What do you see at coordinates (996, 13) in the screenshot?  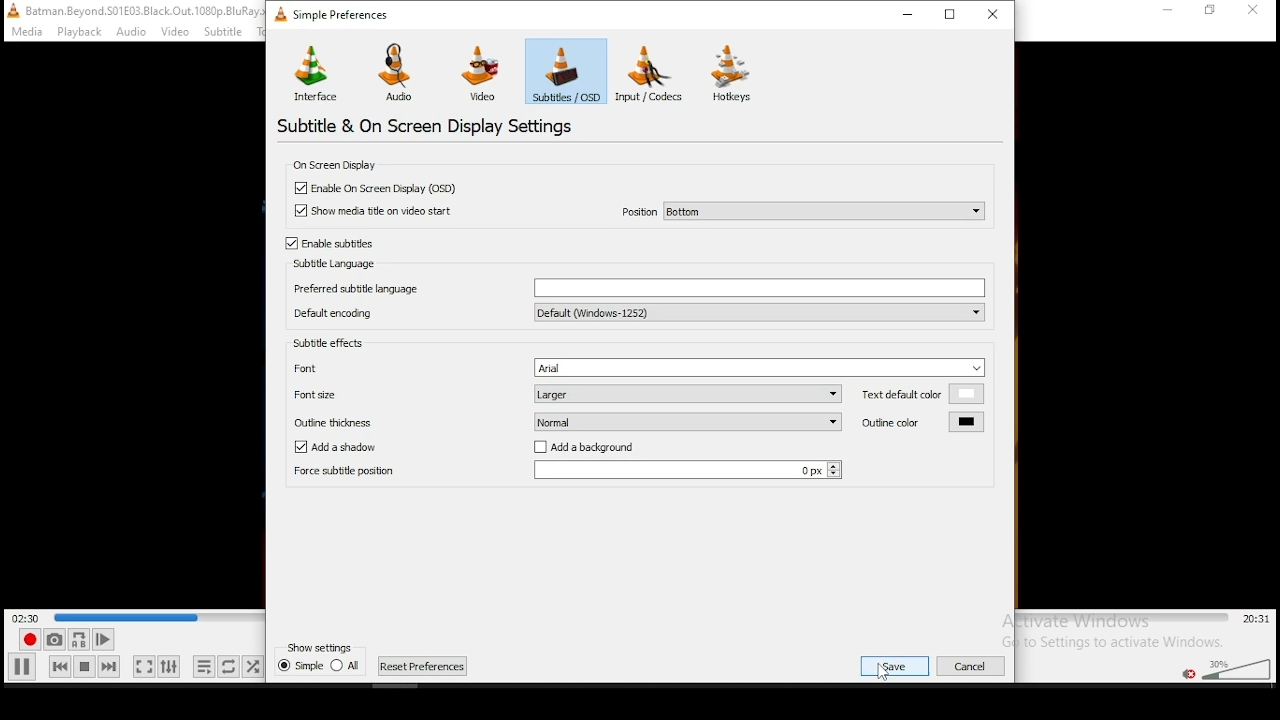 I see `close window` at bounding box center [996, 13].